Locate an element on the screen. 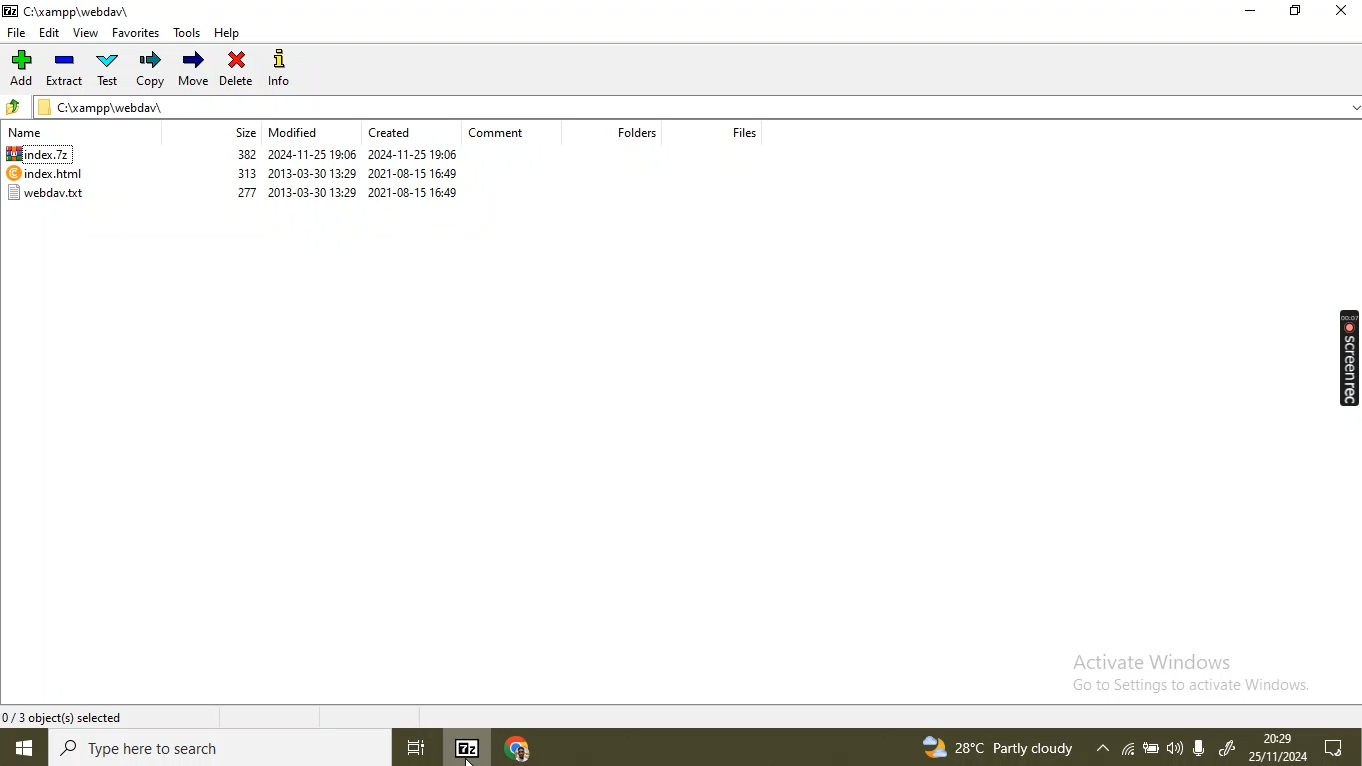 This screenshot has width=1362, height=766. modified is located at coordinates (292, 134).